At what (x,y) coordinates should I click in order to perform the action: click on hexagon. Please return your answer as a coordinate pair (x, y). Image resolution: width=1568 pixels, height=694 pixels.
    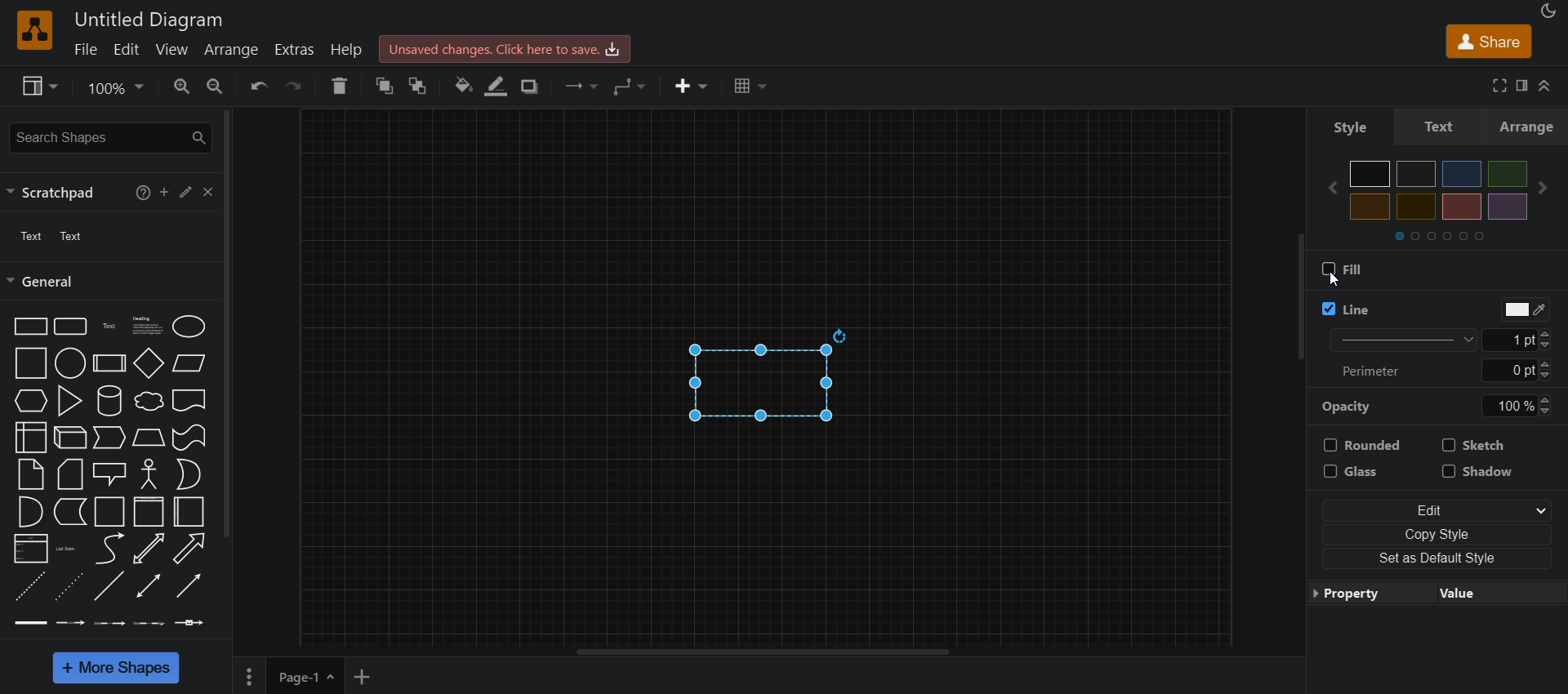
    Looking at the image, I should click on (29, 401).